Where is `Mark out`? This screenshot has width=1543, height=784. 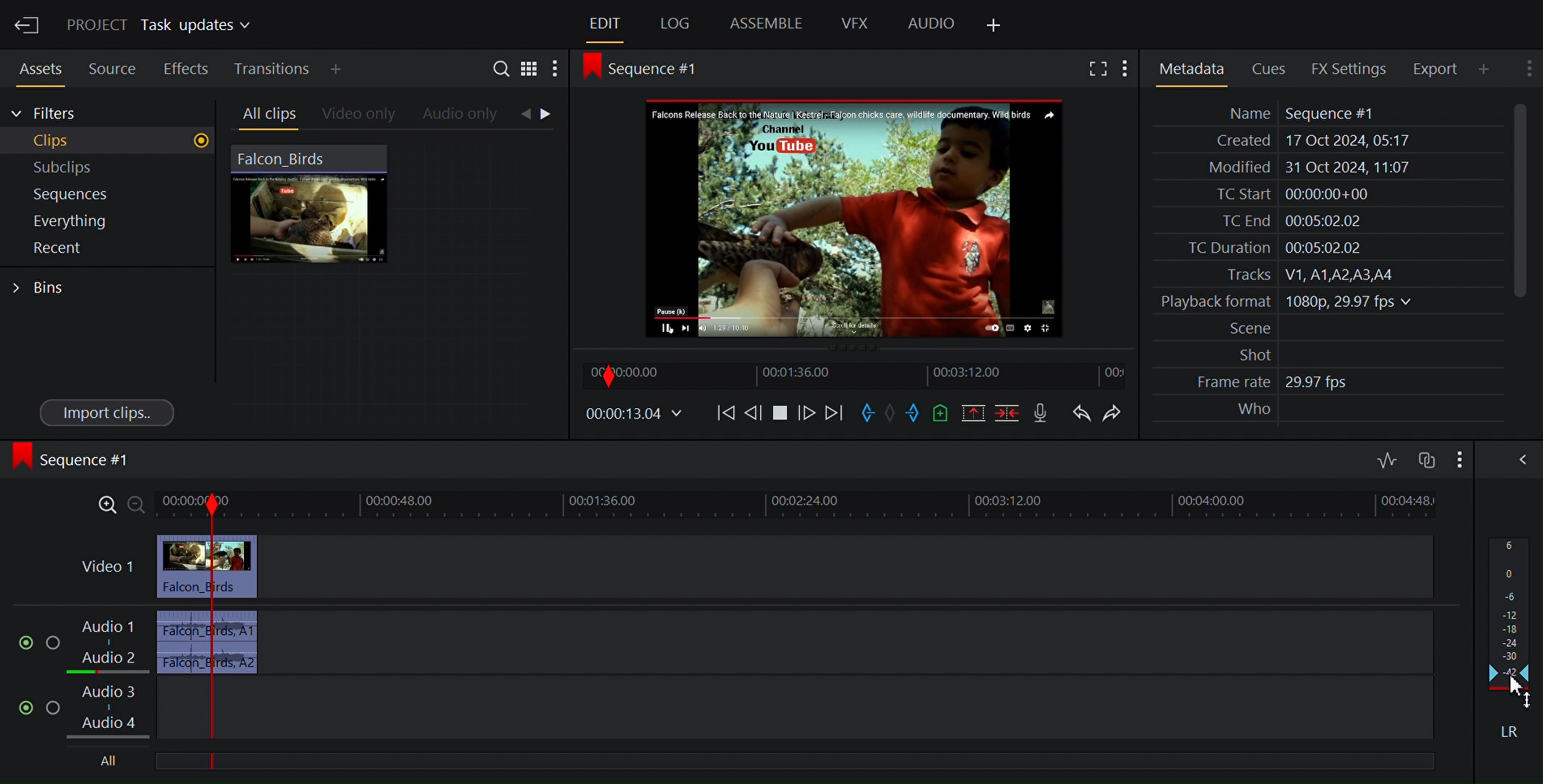
Mark out is located at coordinates (914, 414).